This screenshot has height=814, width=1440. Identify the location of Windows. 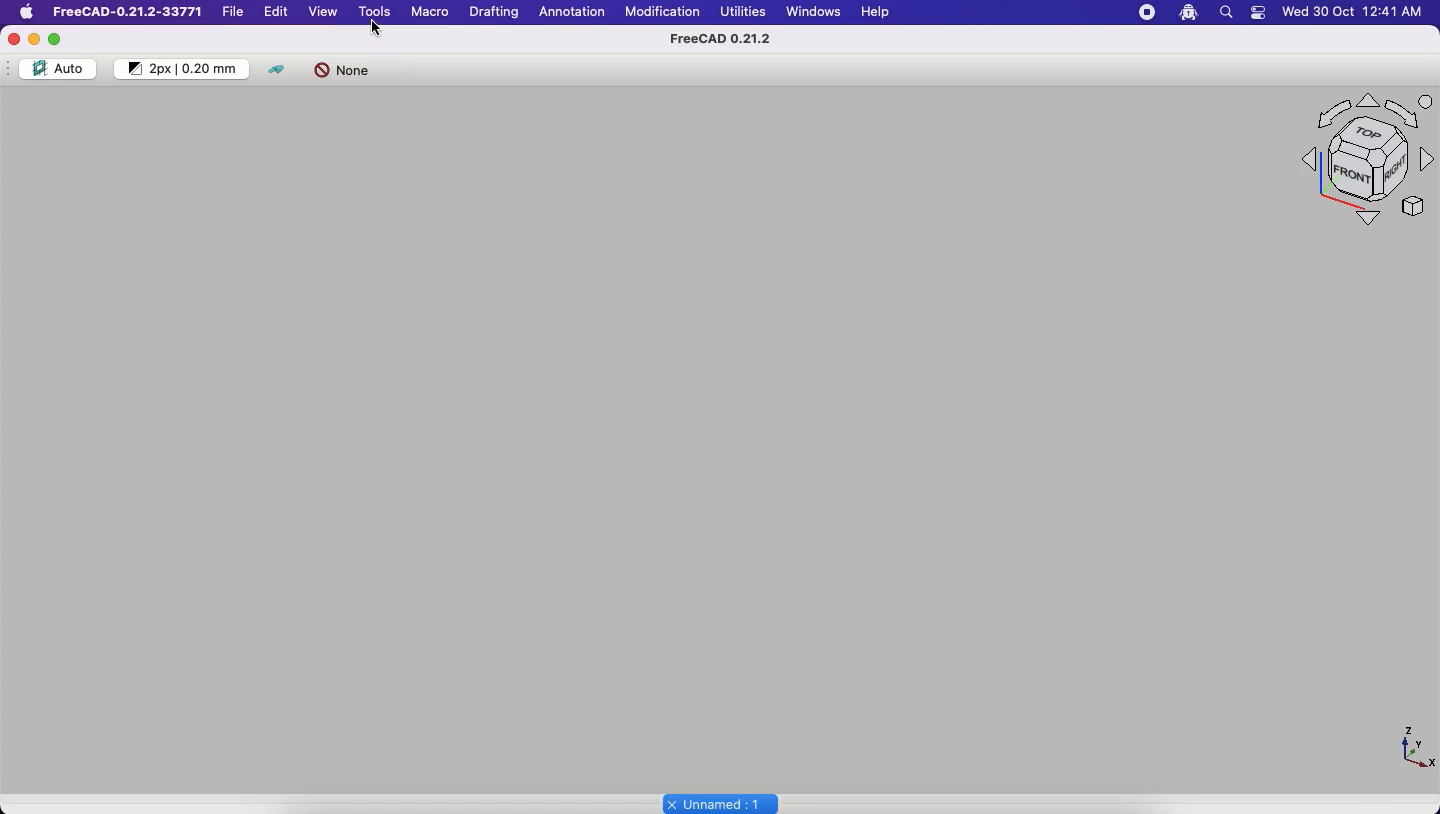
(815, 12).